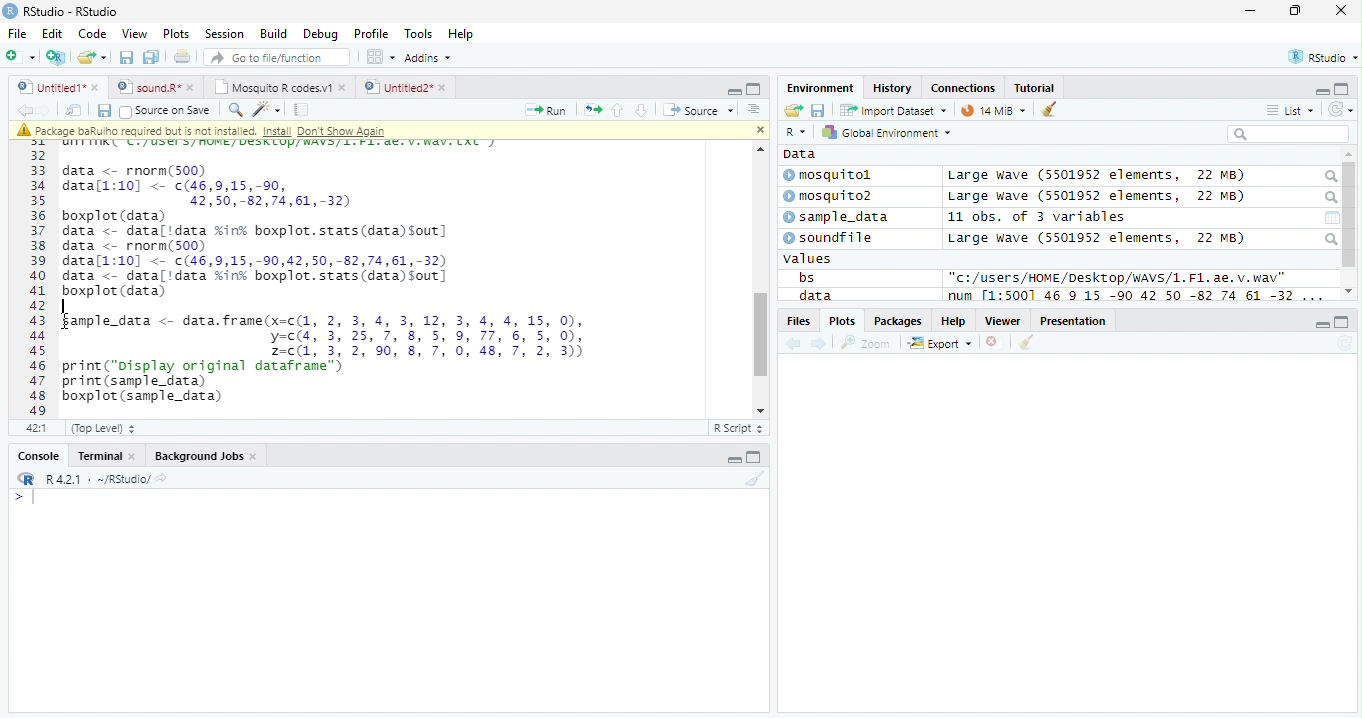  I want to click on Terminal, so click(104, 456).